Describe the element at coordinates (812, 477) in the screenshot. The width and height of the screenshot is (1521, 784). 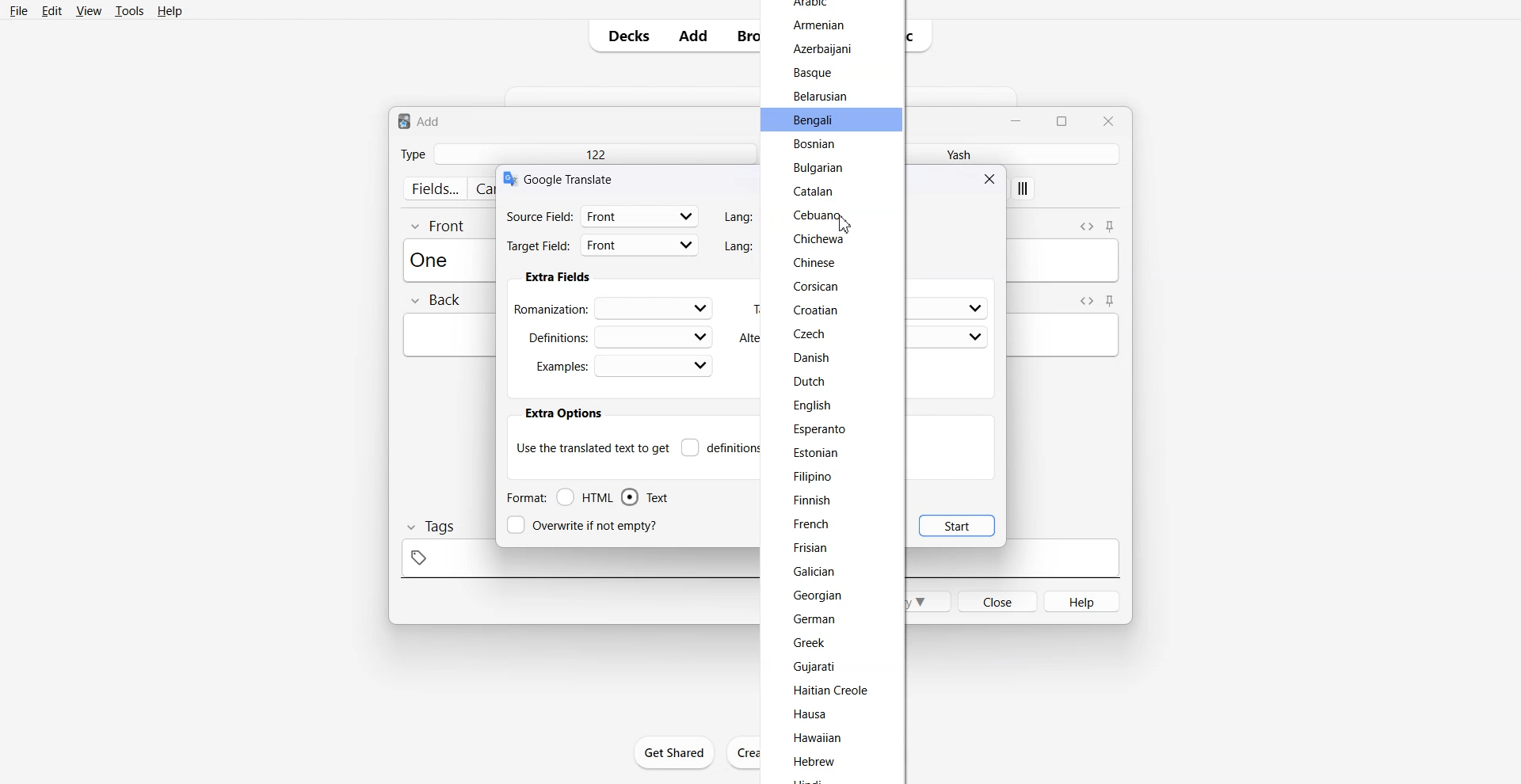
I see `Filipino` at that location.